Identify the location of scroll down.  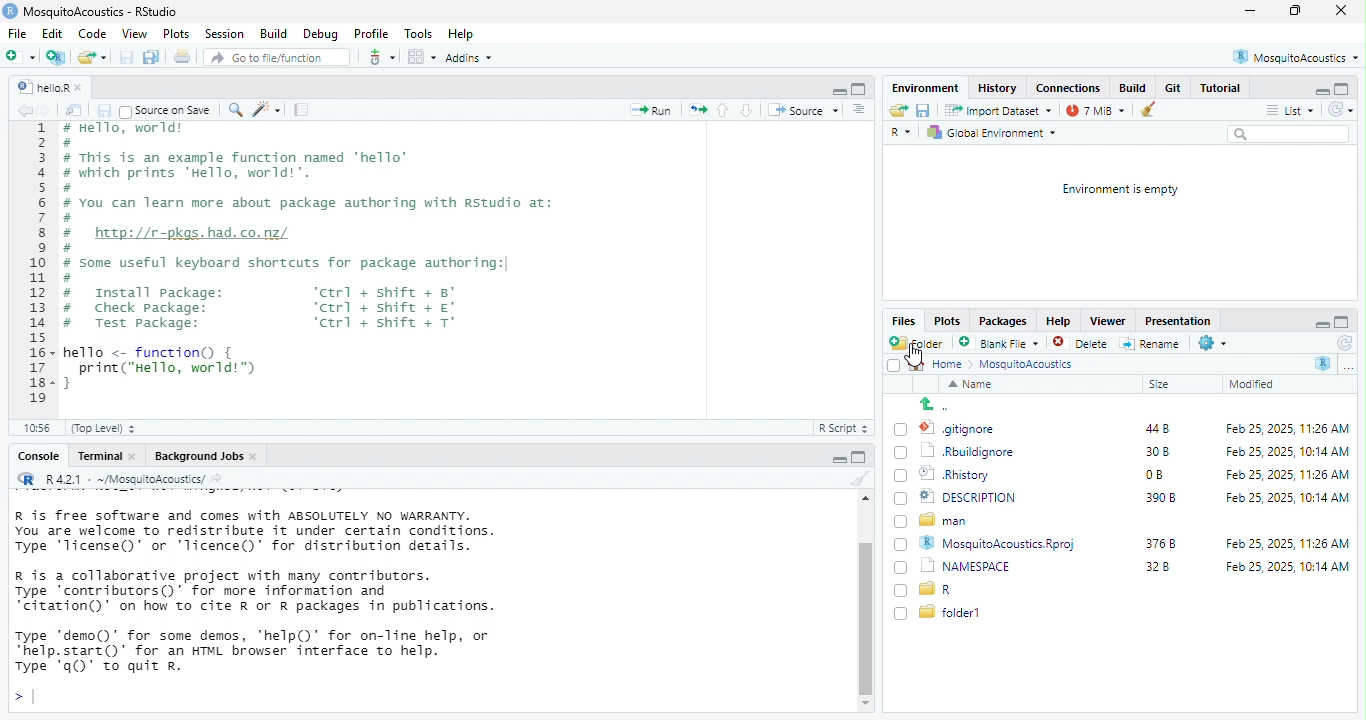
(863, 704).